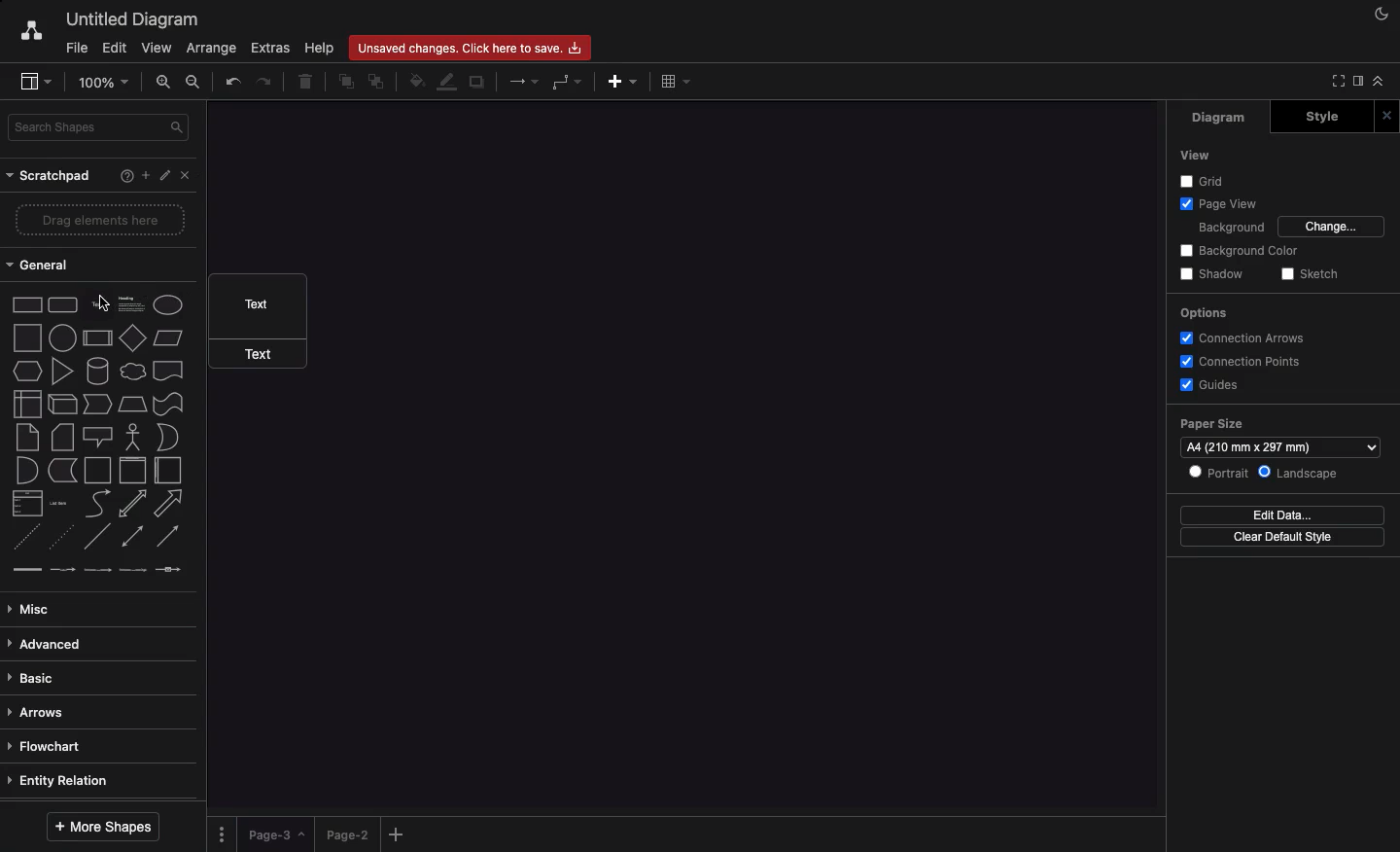 This screenshot has width=1400, height=852. Describe the element at coordinates (564, 83) in the screenshot. I see `Waypoints` at that location.